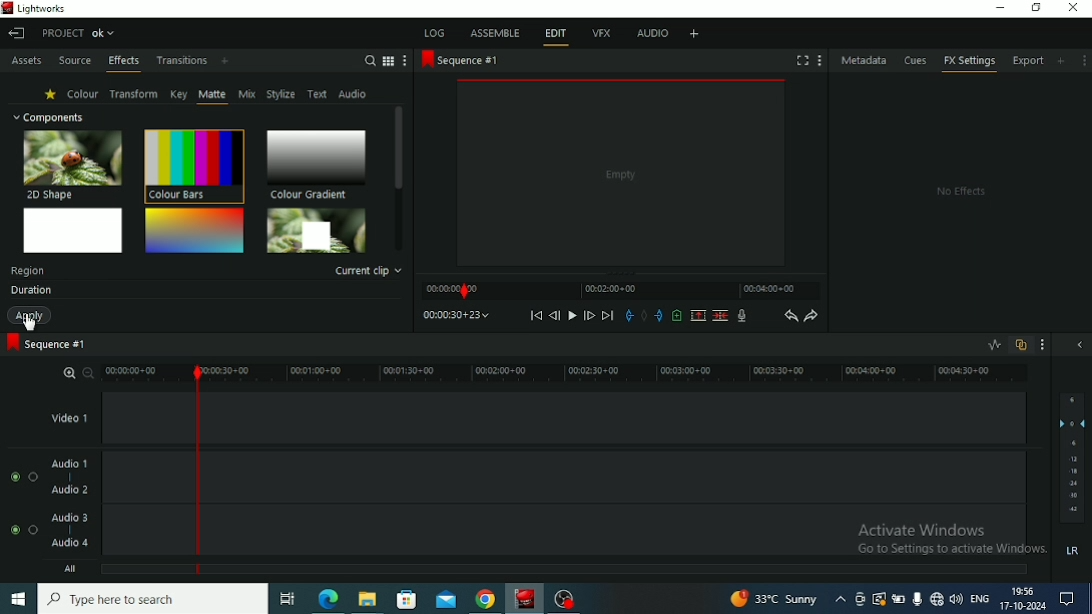 This screenshot has width=1092, height=614. Describe the element at coordinates (566, 598) in the screenshot. I see `App` at that location.